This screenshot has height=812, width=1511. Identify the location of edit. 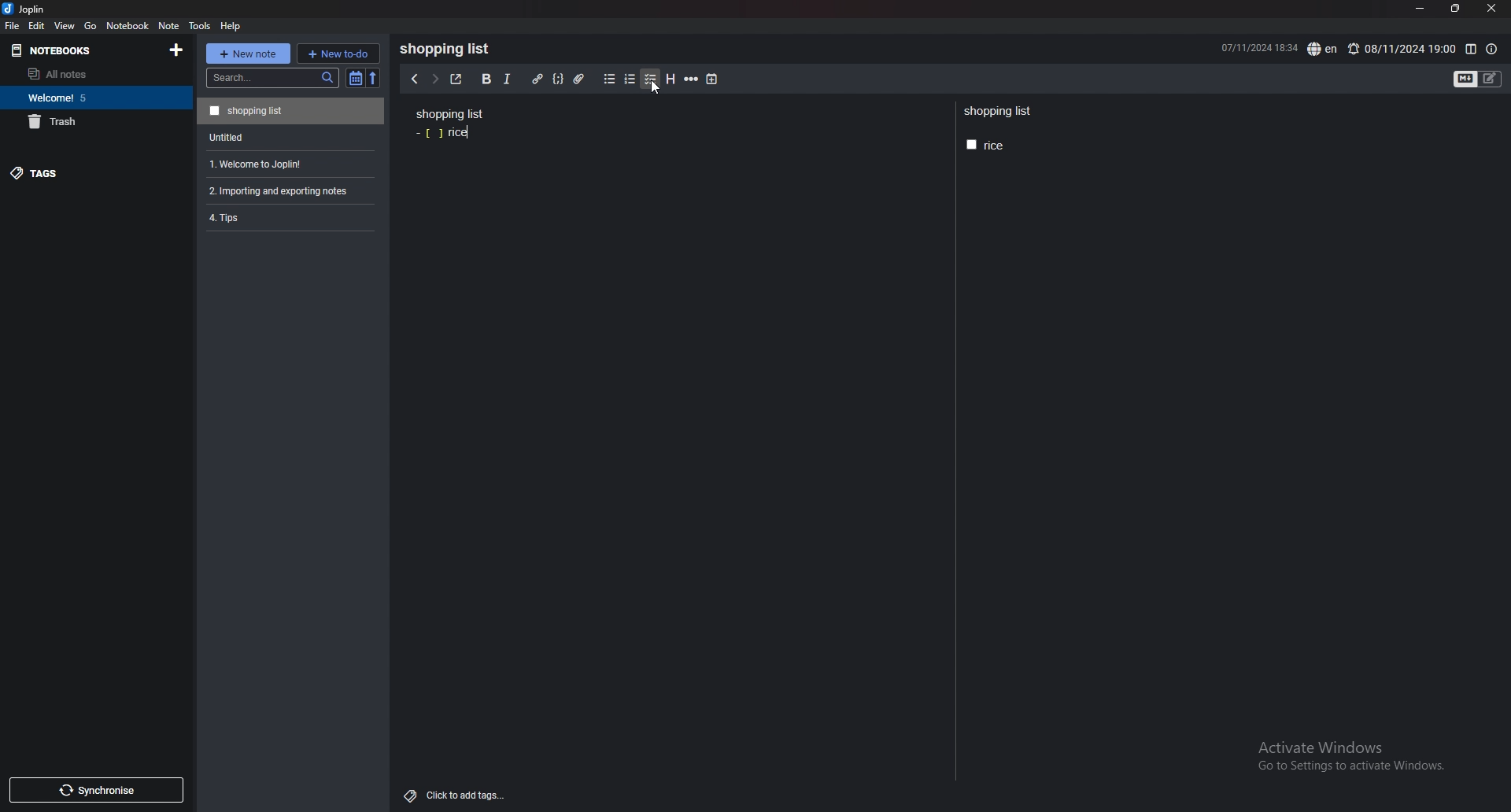
(37, 25).